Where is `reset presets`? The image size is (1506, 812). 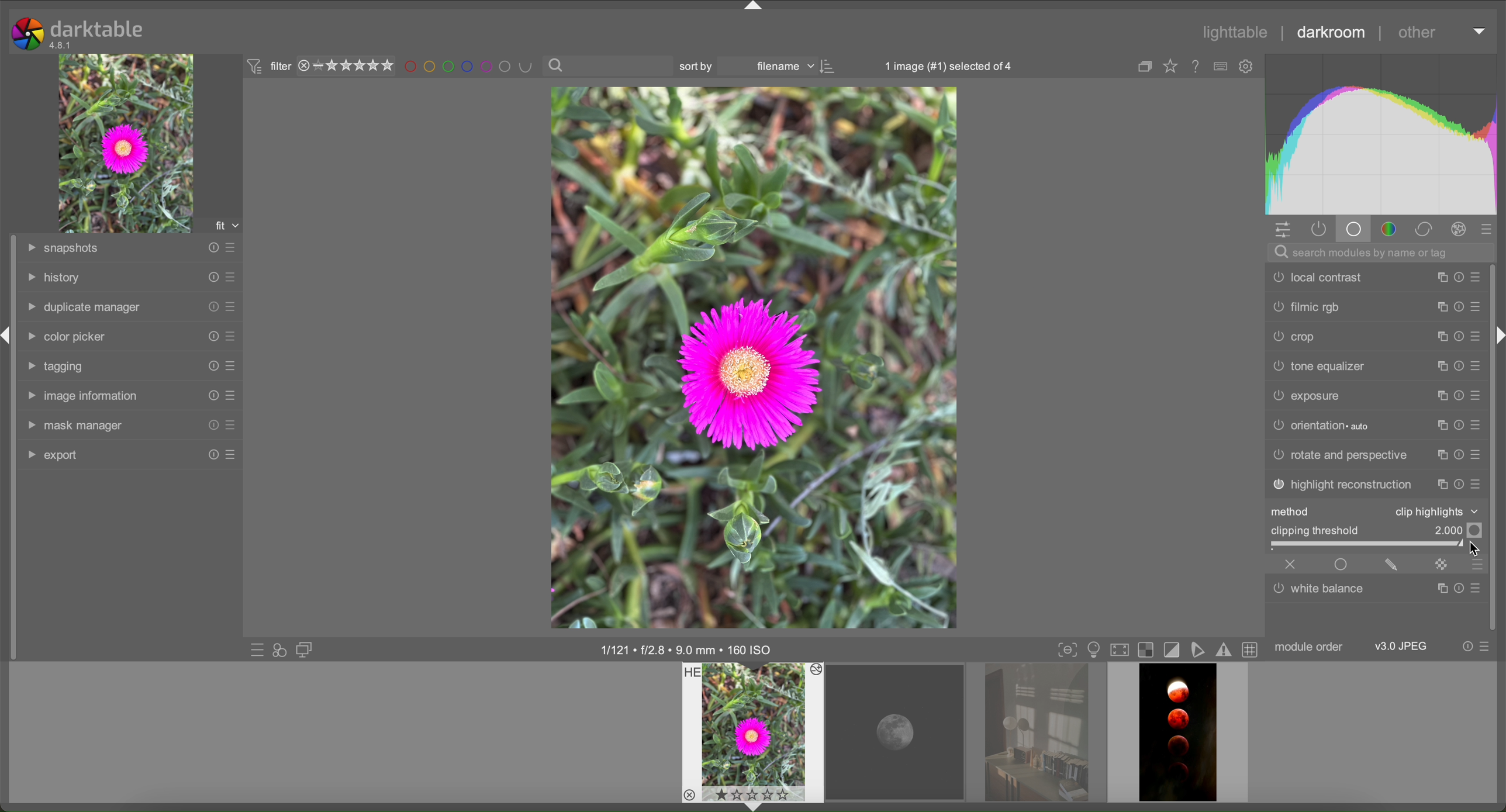 reset presets is located at coordinates (1458, 396).